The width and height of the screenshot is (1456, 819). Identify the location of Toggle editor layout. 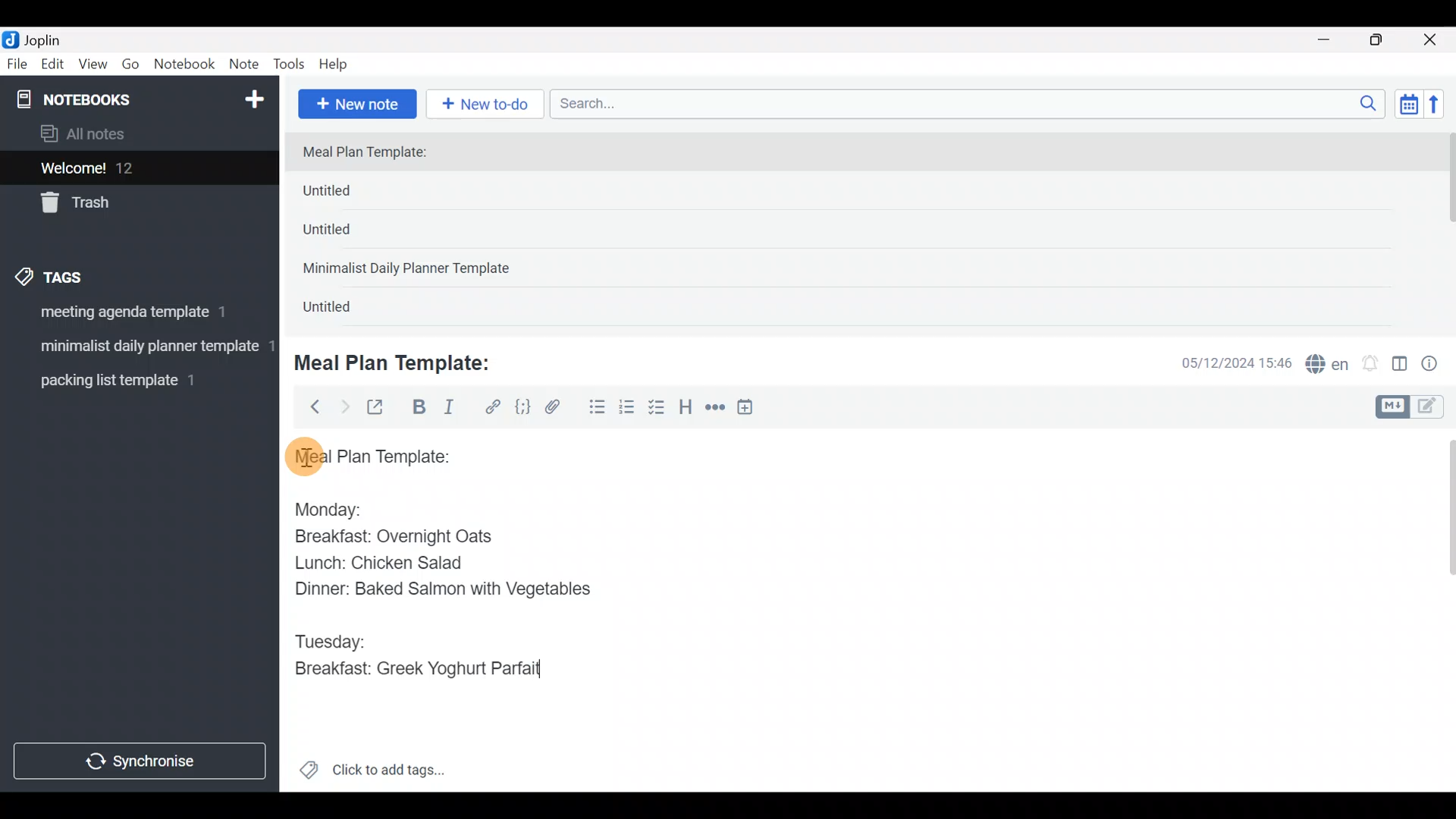
(1401, 366).